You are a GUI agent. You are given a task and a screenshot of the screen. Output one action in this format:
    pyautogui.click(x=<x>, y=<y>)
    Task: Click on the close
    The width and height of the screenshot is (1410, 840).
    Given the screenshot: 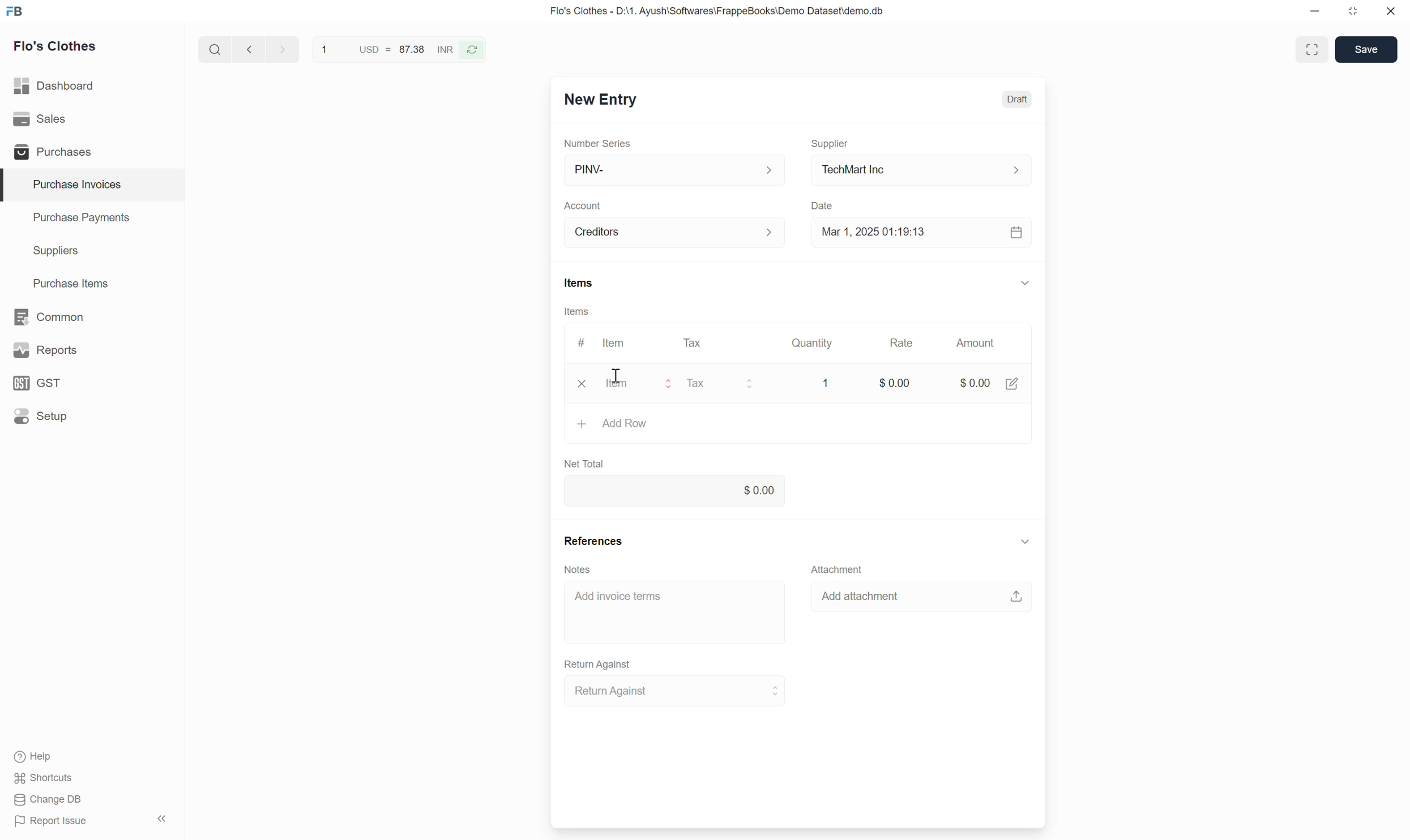 What is the action you would take?
    pyautogui.click(x=1391, y=13)
    